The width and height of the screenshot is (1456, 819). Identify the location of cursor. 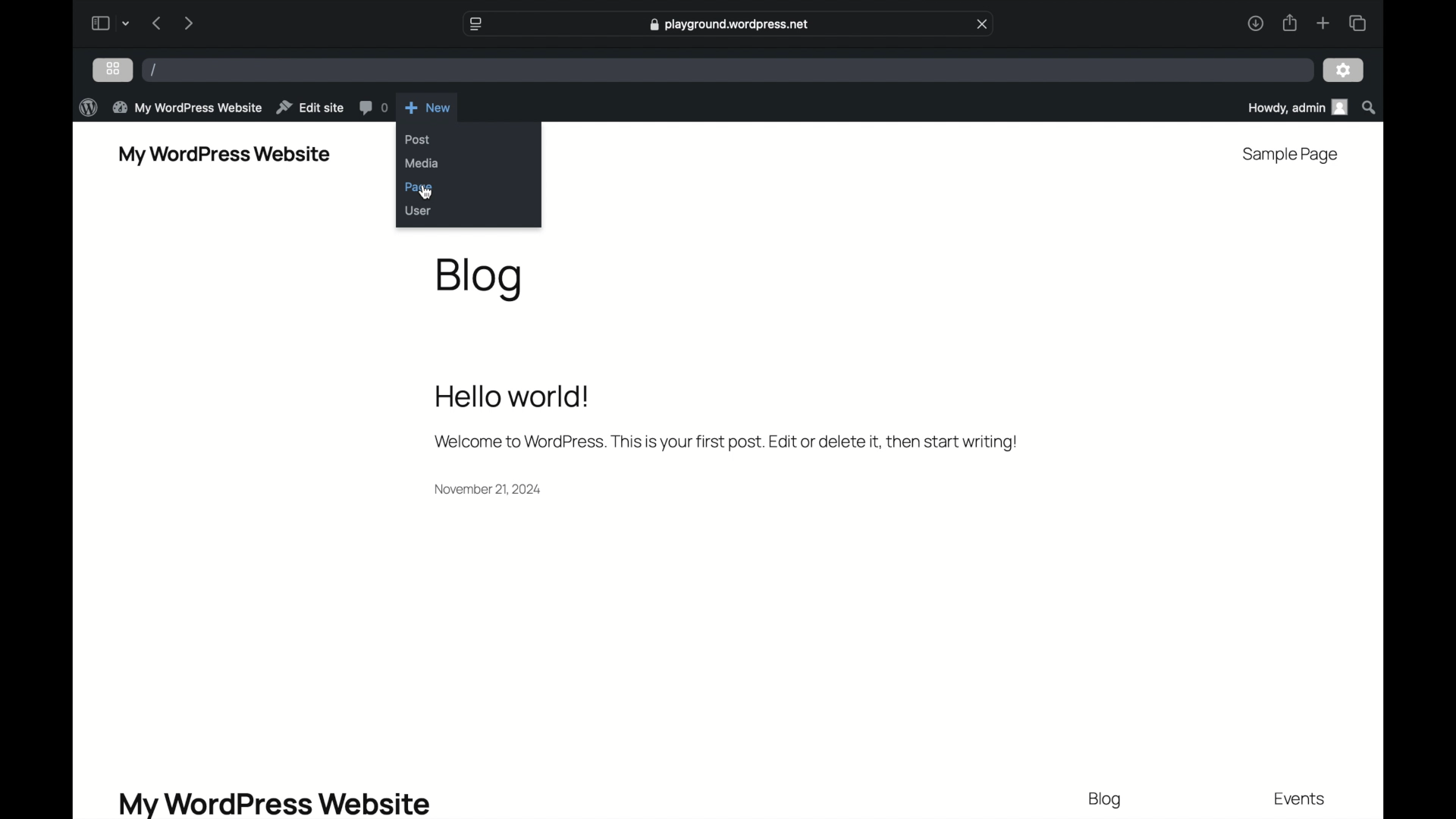
(425, 192).